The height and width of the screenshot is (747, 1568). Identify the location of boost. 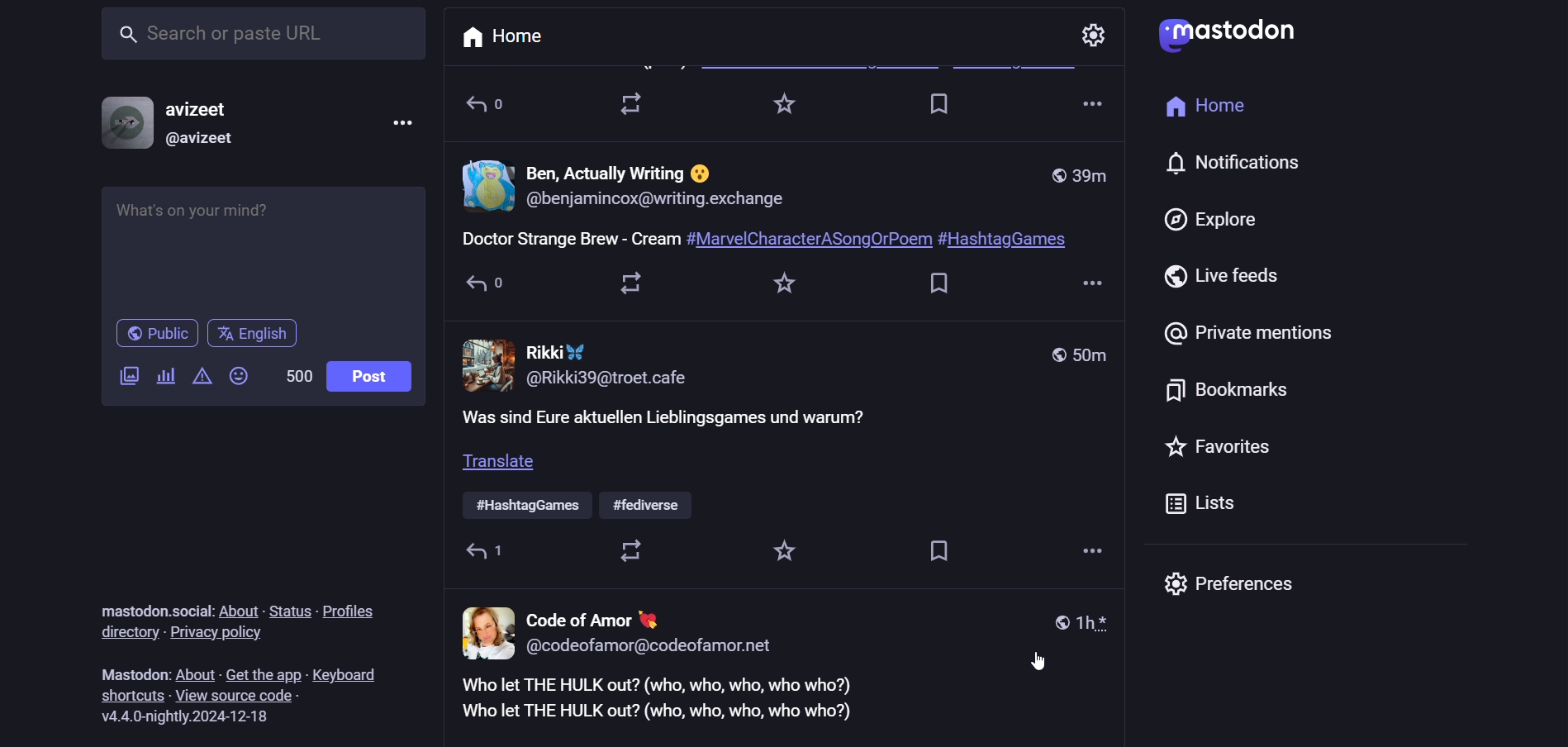
(632, 281).